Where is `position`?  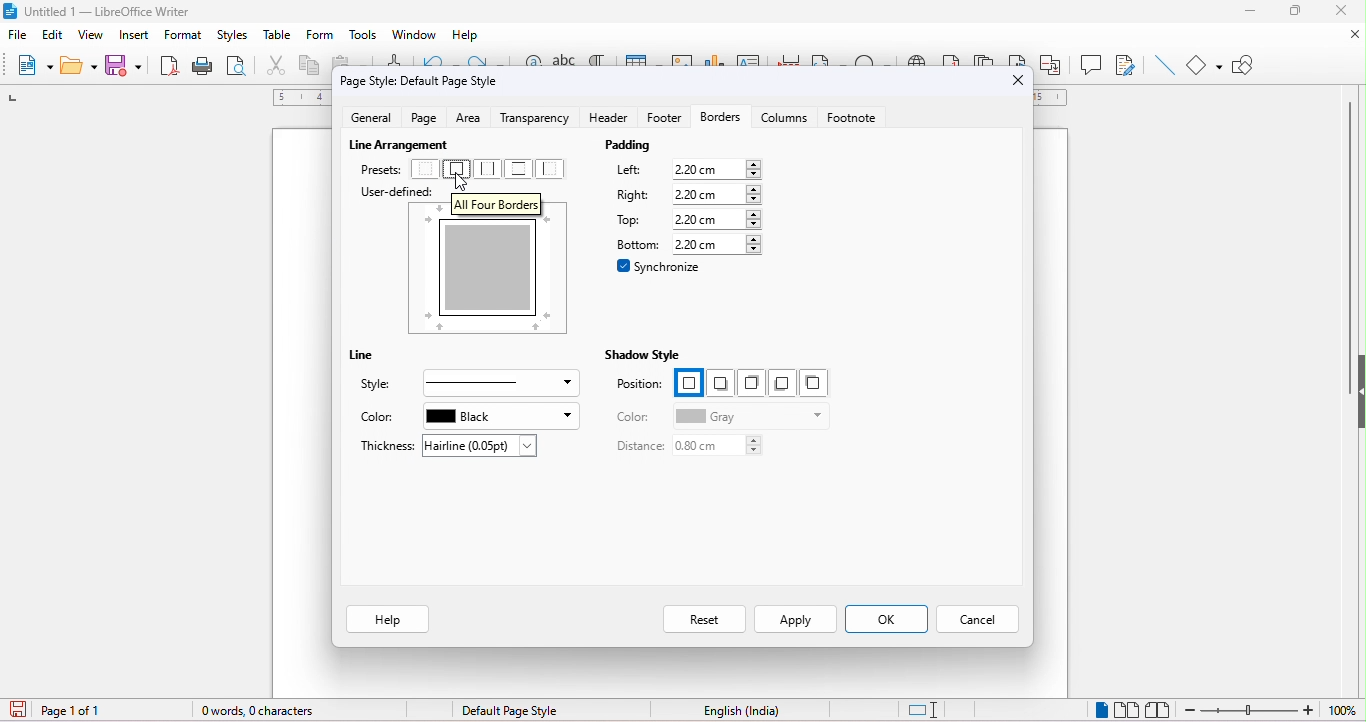 position is located at coordinates (641, 386).